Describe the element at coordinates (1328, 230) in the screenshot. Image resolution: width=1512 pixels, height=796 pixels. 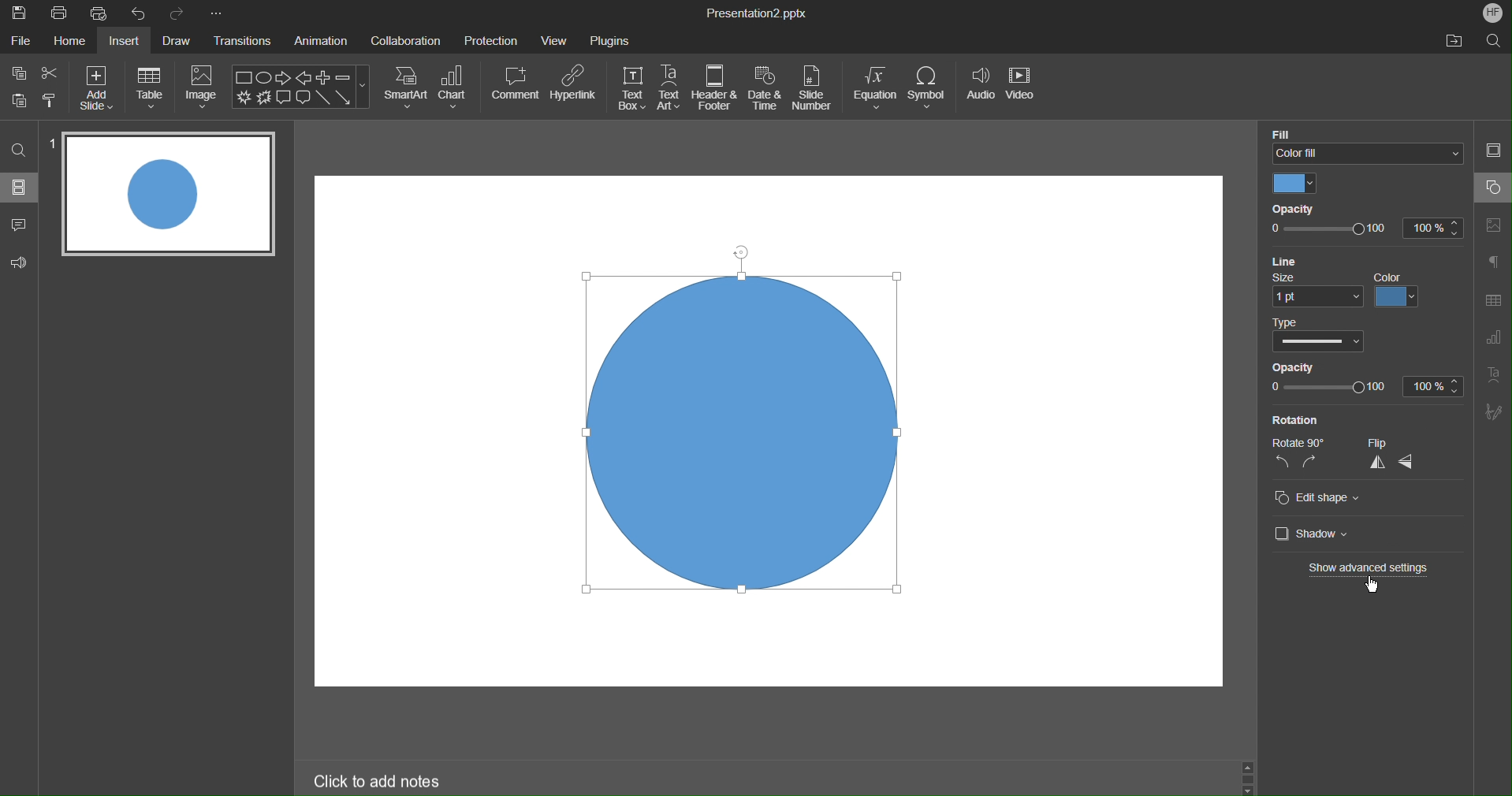
I see `opacity slider` at that location.